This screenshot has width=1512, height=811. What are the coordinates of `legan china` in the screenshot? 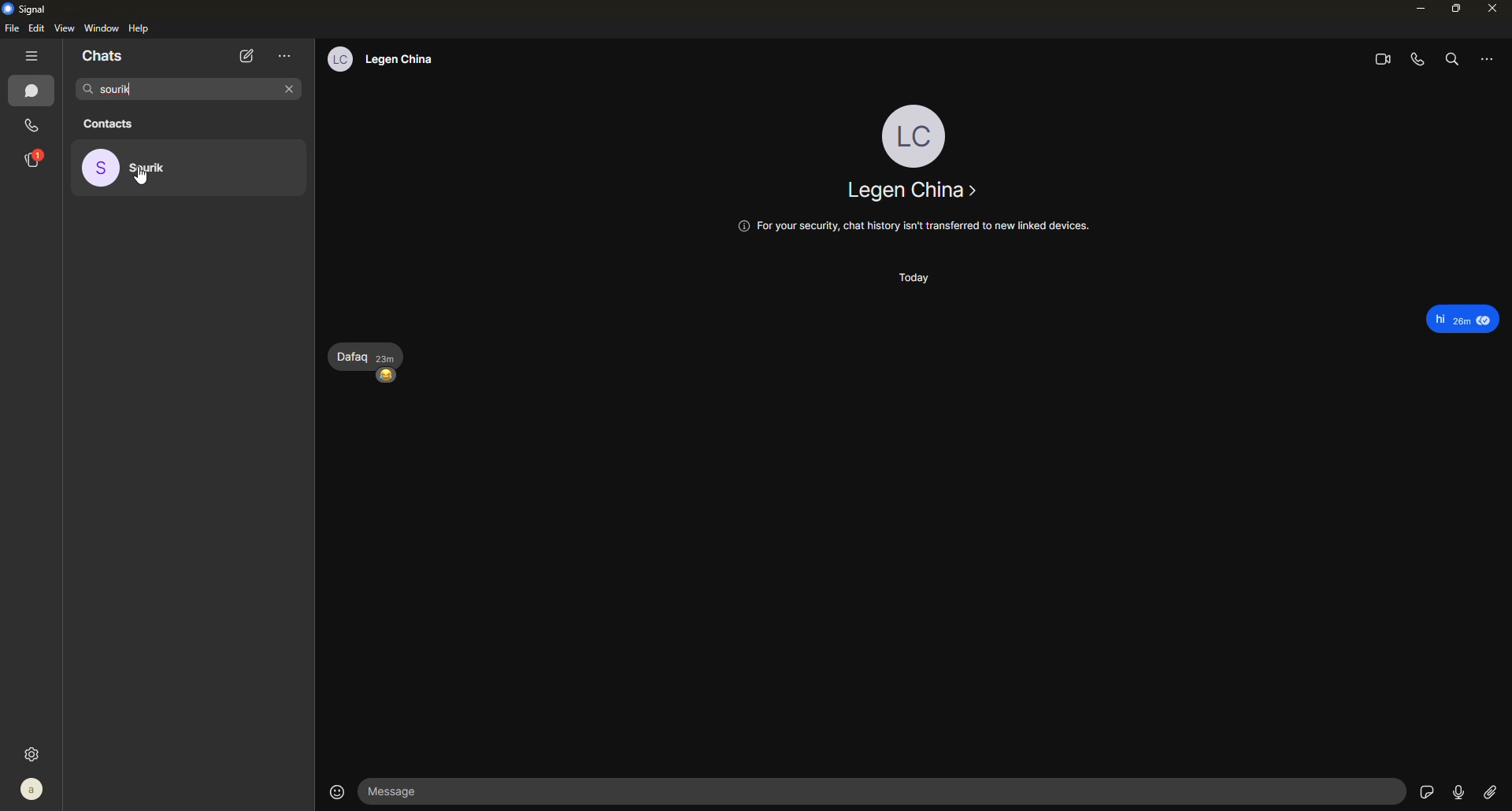 It's located at (408, 59).